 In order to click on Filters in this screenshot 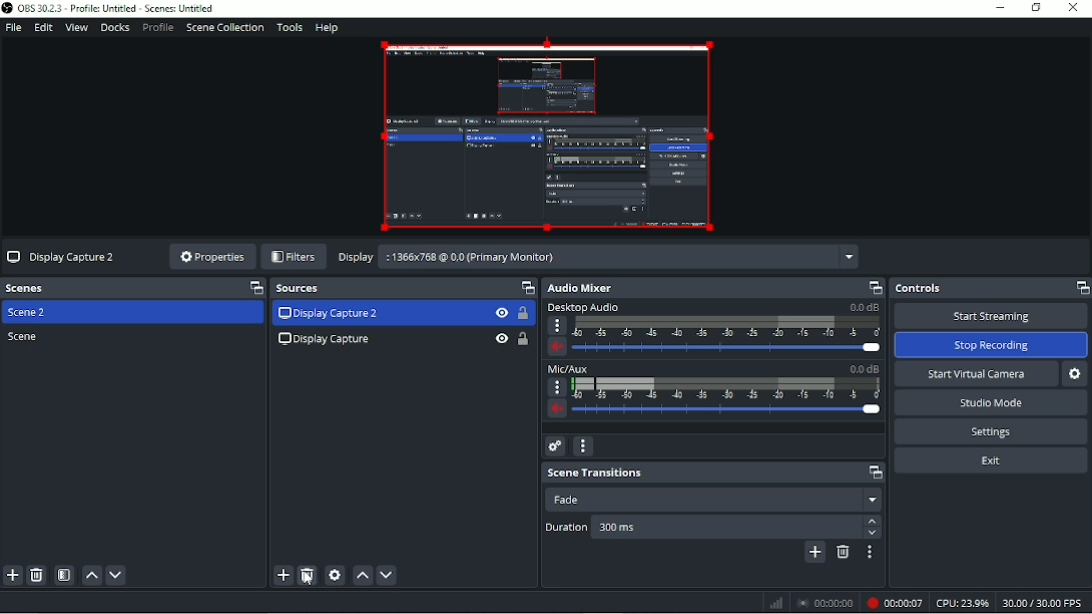, I will do `click(294, 256)`.